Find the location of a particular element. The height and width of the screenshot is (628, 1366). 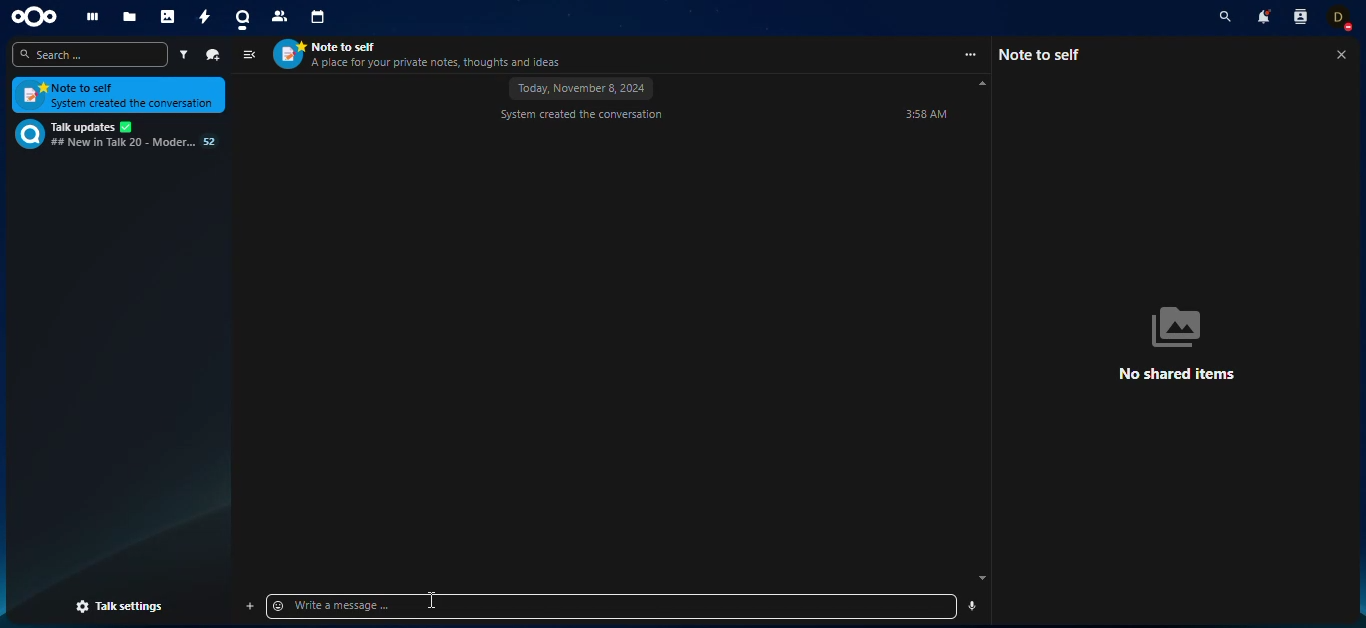

emoji is located at coordinates (280, 606).